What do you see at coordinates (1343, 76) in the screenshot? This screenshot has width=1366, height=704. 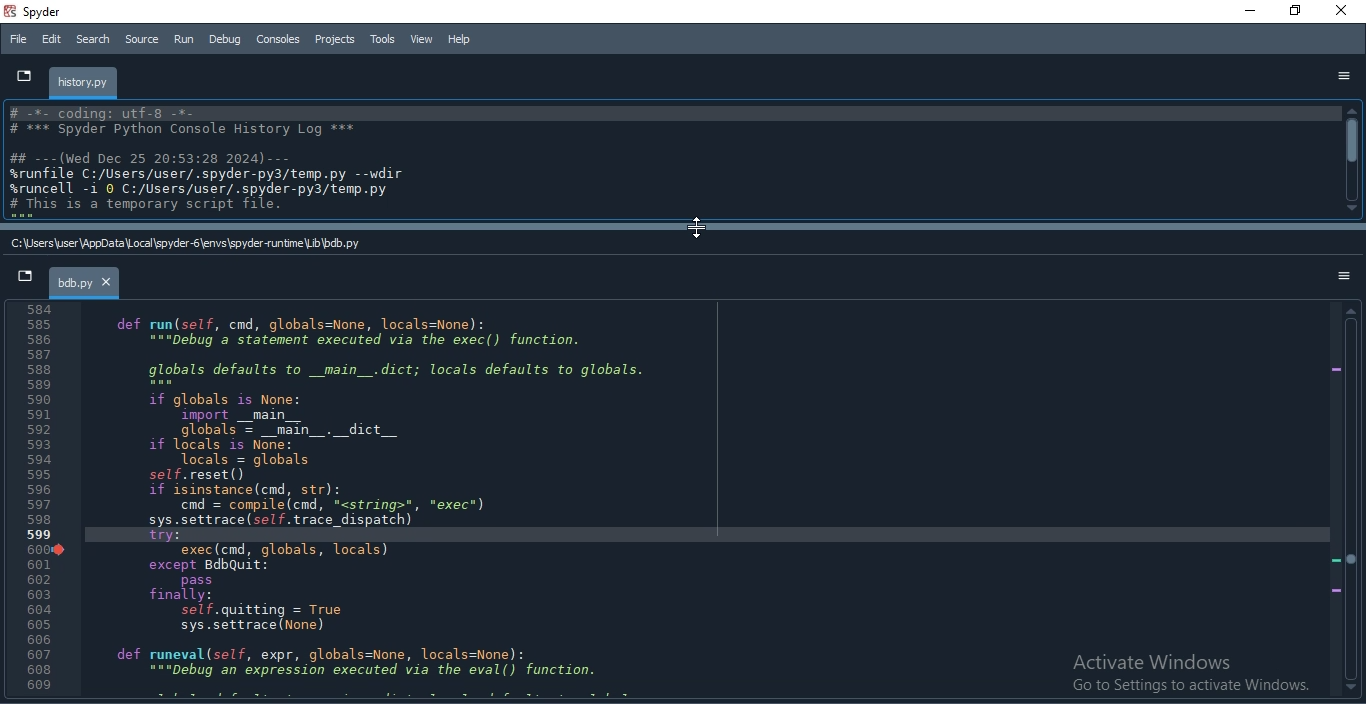 I see `options` at bounding box center [1343, 76].